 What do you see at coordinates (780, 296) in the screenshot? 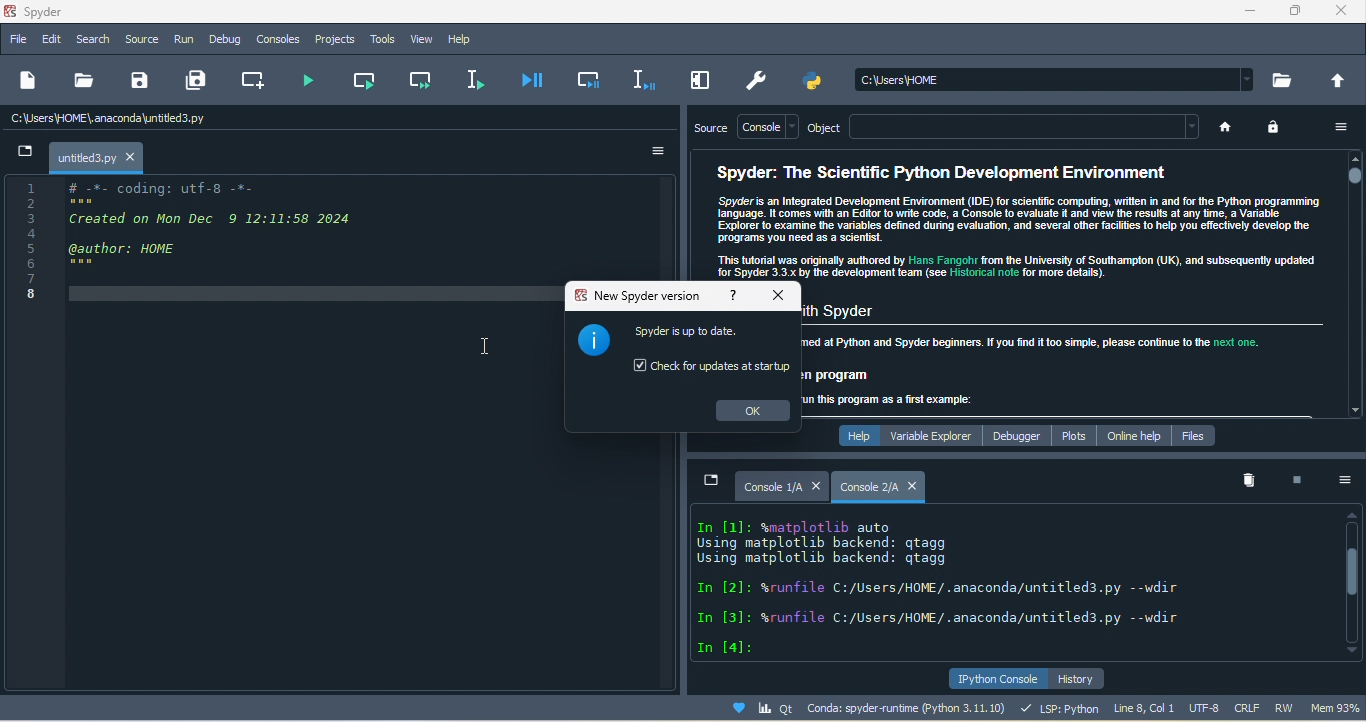
I see `close` at bounding box center [780, 296].